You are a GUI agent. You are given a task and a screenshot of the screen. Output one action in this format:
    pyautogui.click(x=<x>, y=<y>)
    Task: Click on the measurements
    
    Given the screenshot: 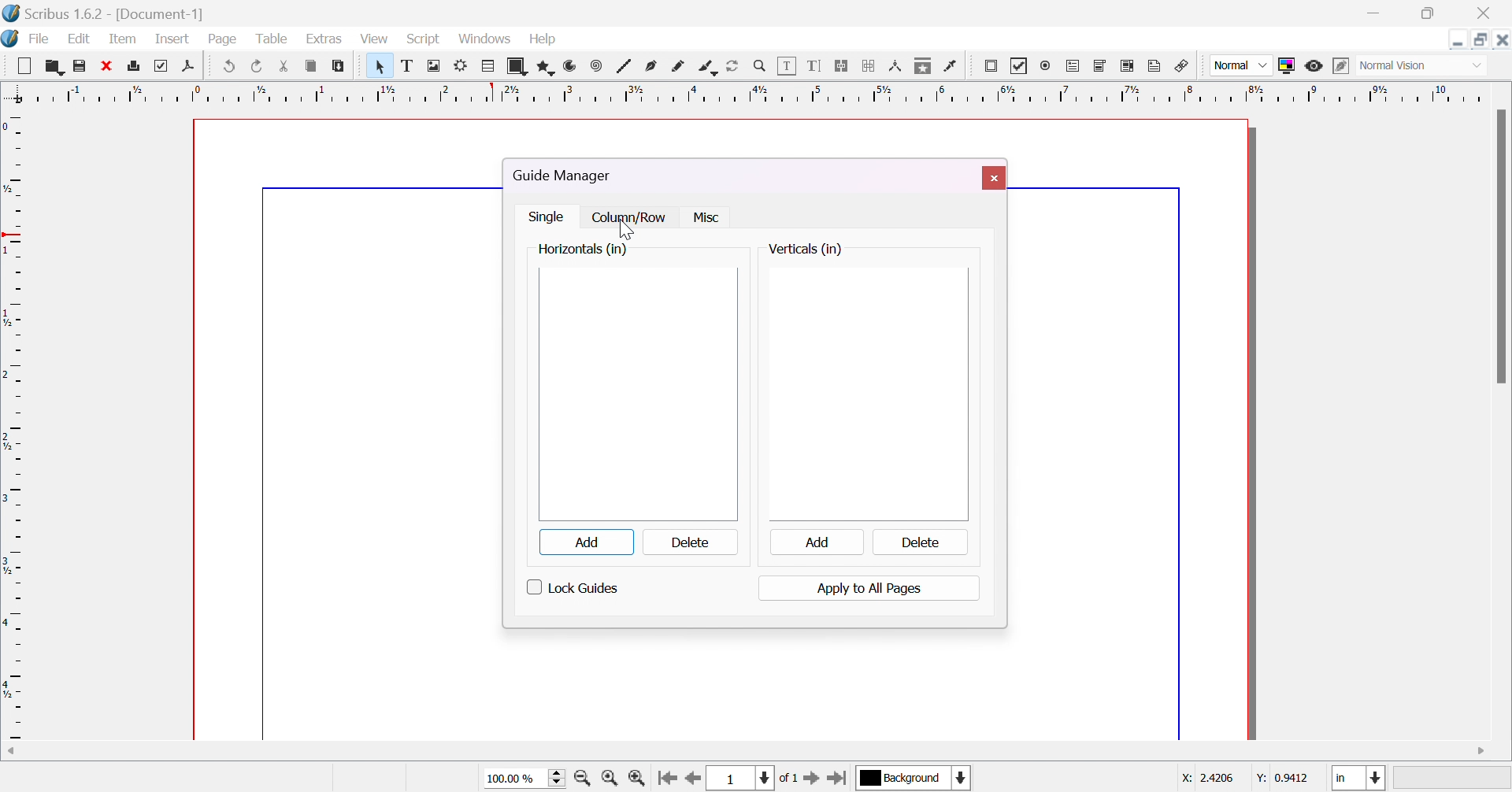 What is the action you would take?
    pyautogui.click(x=898, y=67)
    